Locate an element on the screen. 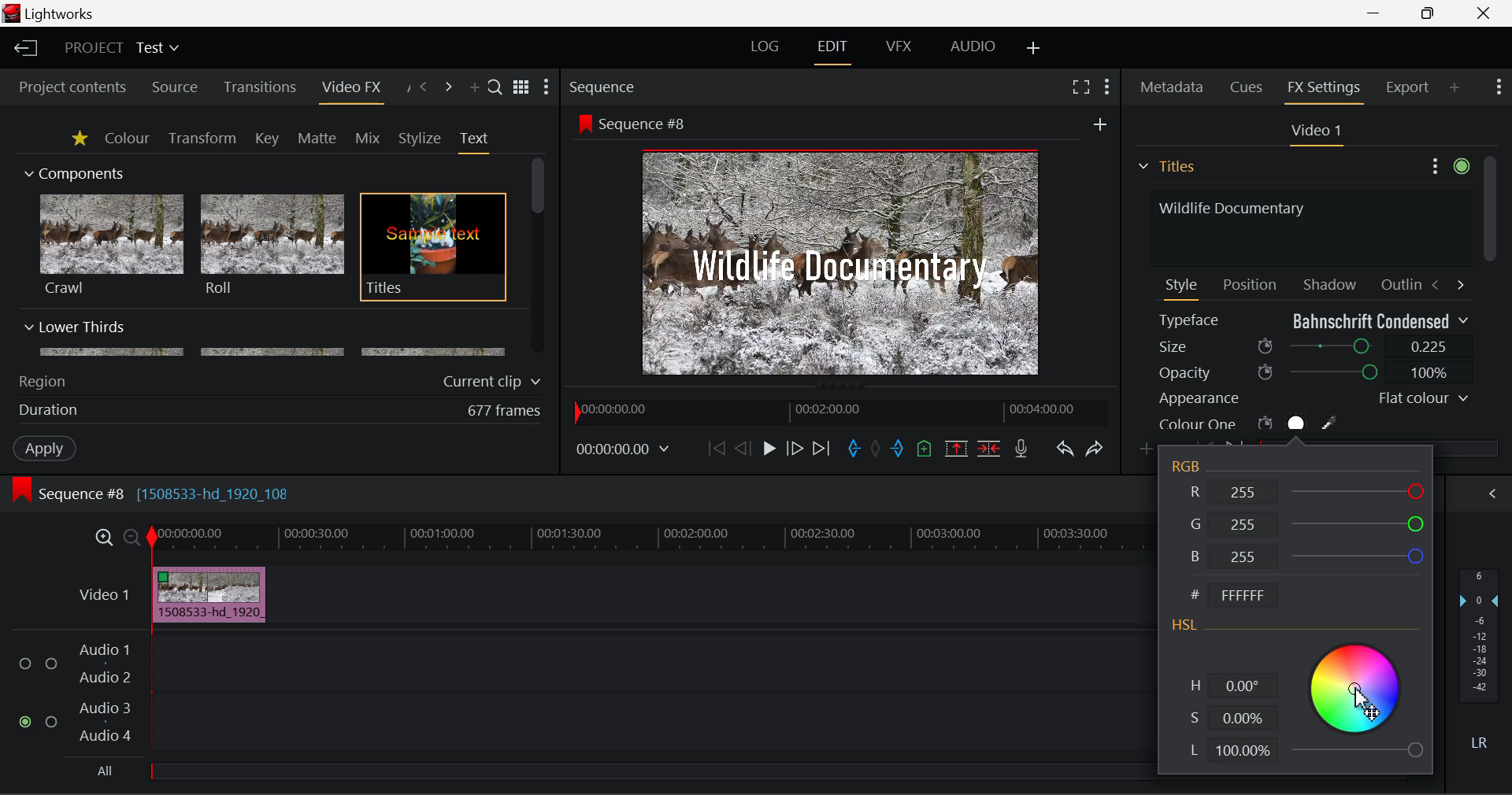 This screenshot has height=795, width=1512. Duration is located at coordinates (50, 411).